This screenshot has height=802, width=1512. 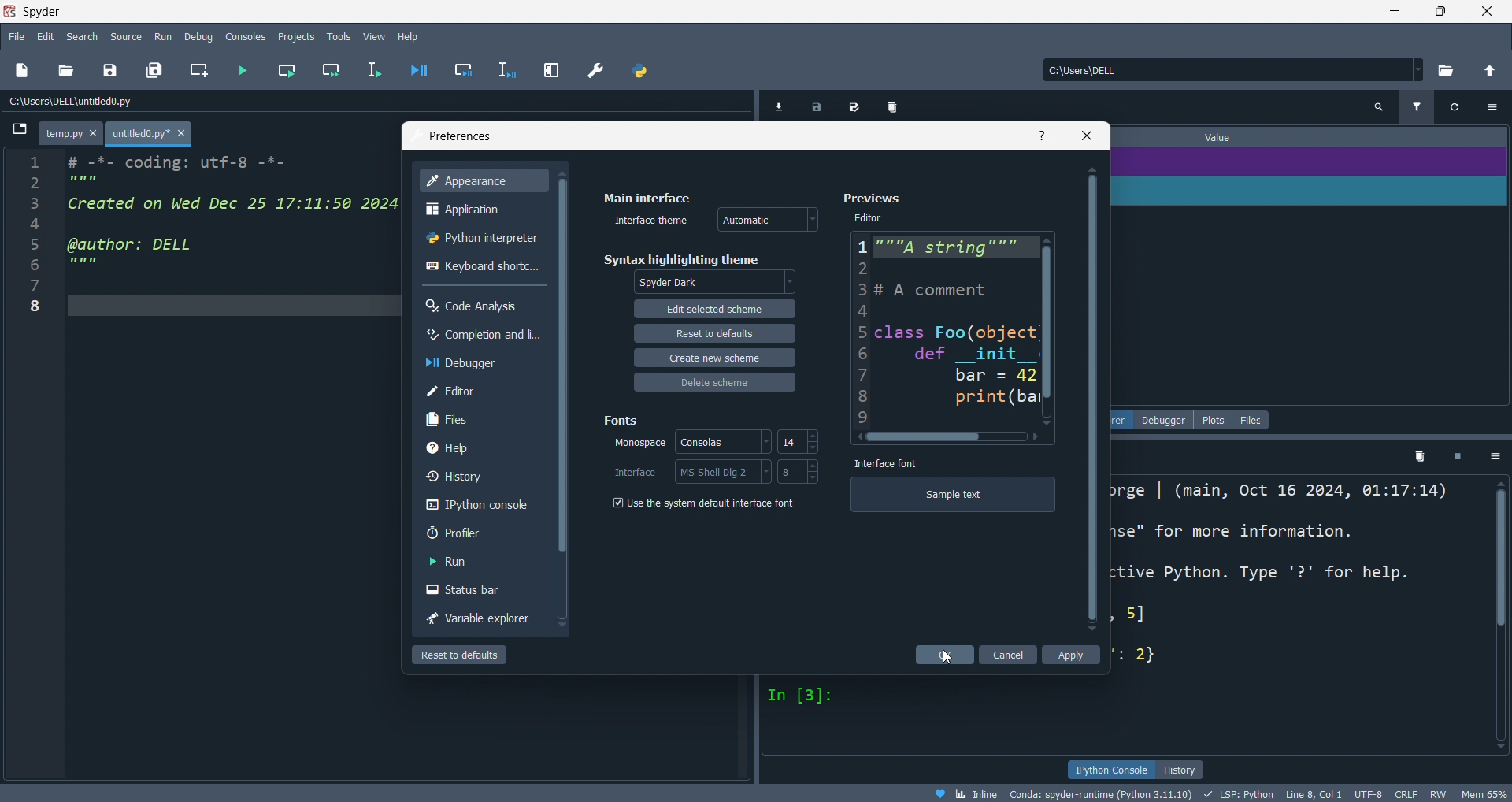 What do you see at coordinates (371, 37) in the screenshot?
I see `view` at bounding box center [371, 37].